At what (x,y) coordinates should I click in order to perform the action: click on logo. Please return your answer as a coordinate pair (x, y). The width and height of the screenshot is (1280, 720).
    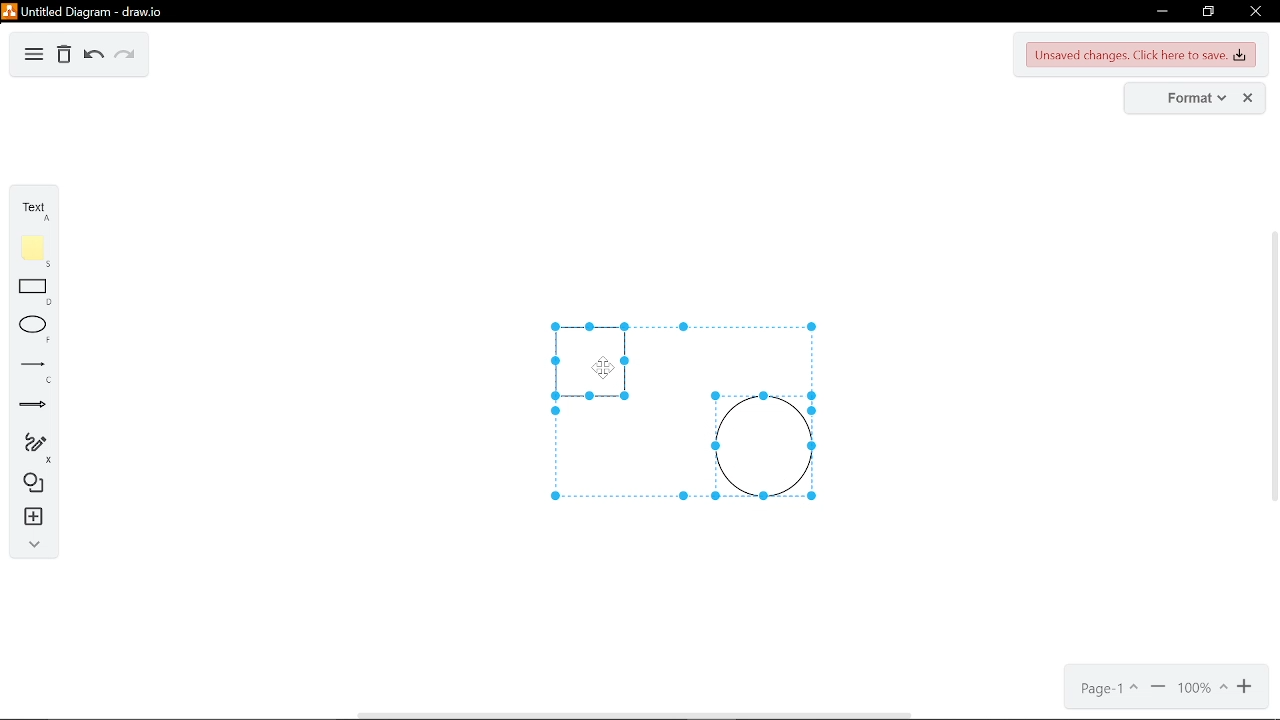
    Looking at the image, I should click on (9, 11).